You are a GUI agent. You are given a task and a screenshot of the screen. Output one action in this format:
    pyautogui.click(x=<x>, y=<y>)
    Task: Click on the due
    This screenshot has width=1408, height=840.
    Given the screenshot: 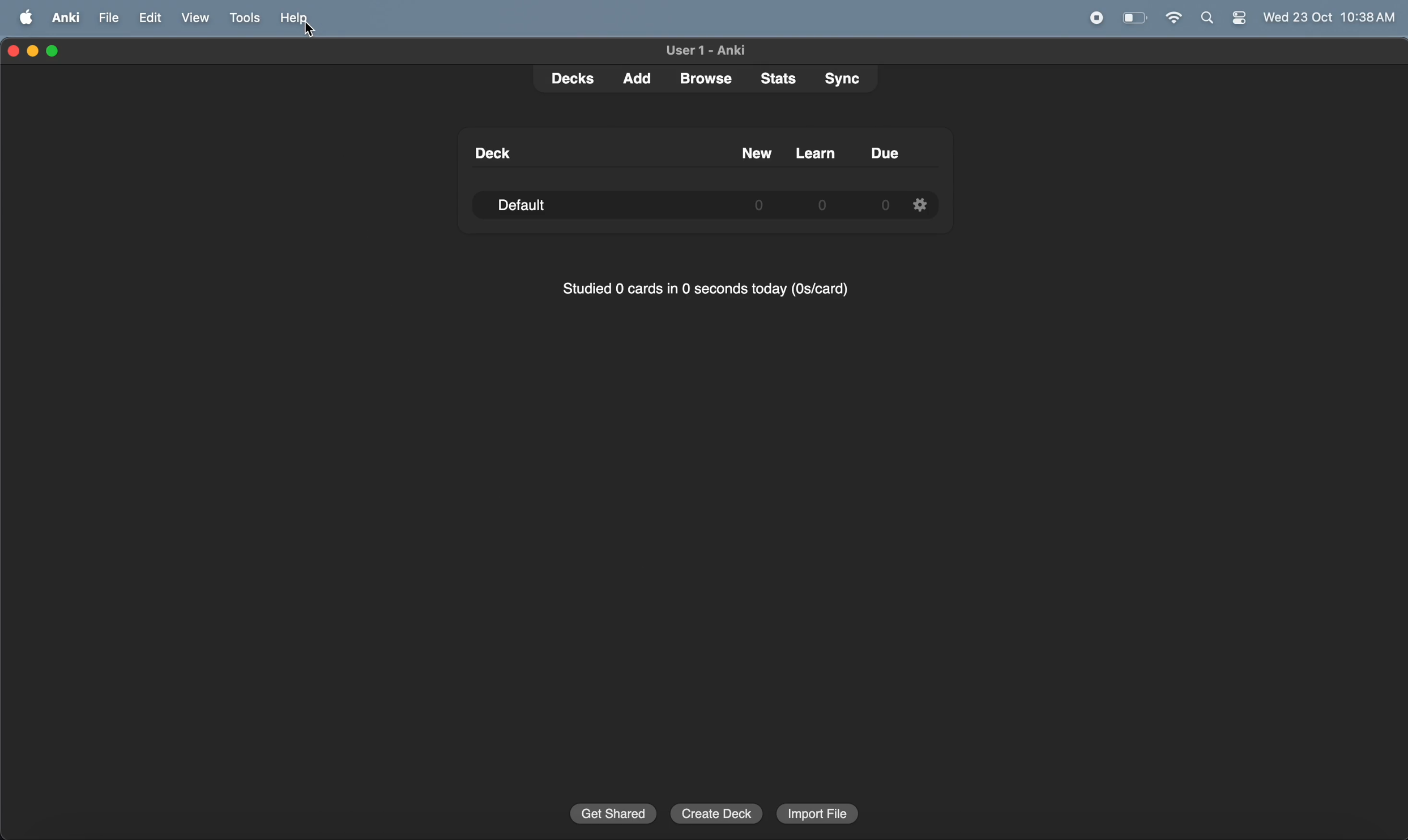 What is the action you would take?
    pyautogui.click(x=886, y=153)
    